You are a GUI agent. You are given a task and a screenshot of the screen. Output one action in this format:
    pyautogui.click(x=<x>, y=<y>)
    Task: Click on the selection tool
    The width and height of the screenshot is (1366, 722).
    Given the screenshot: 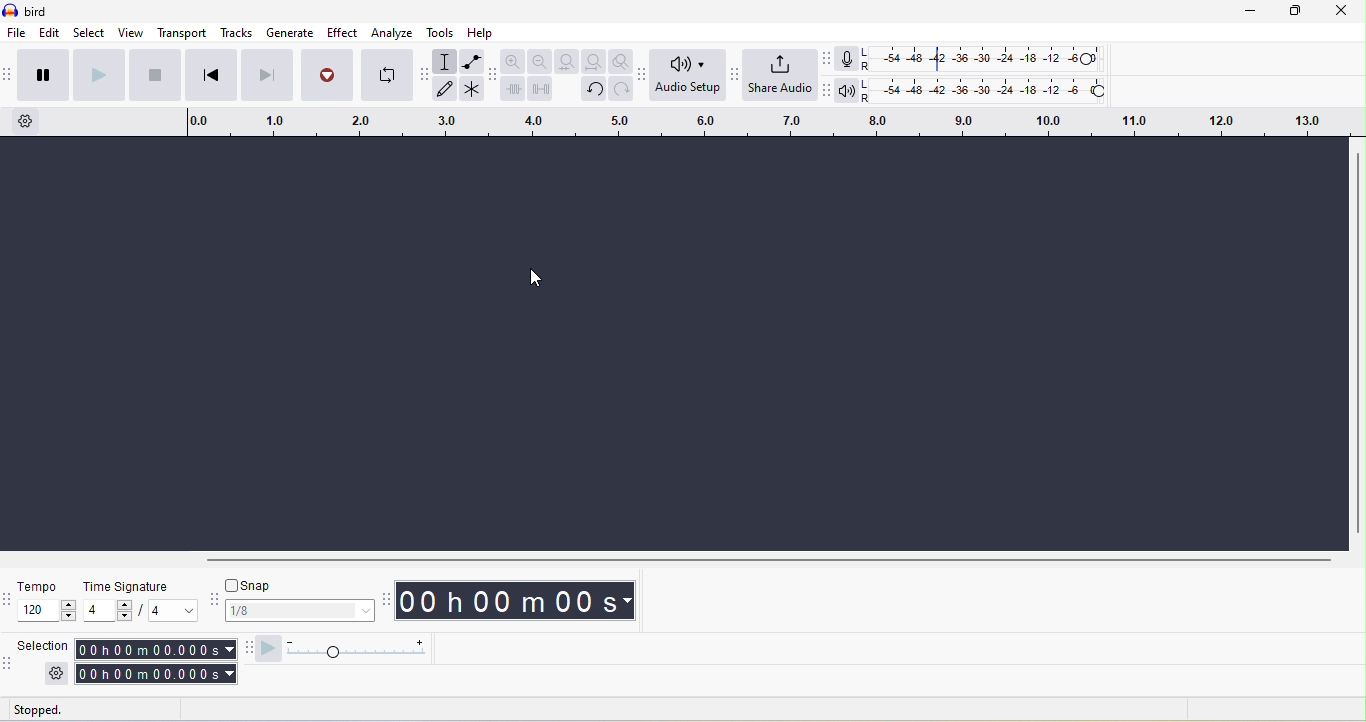 What is the action you would take?
    pyautogui.click(x=446, y=63)
    